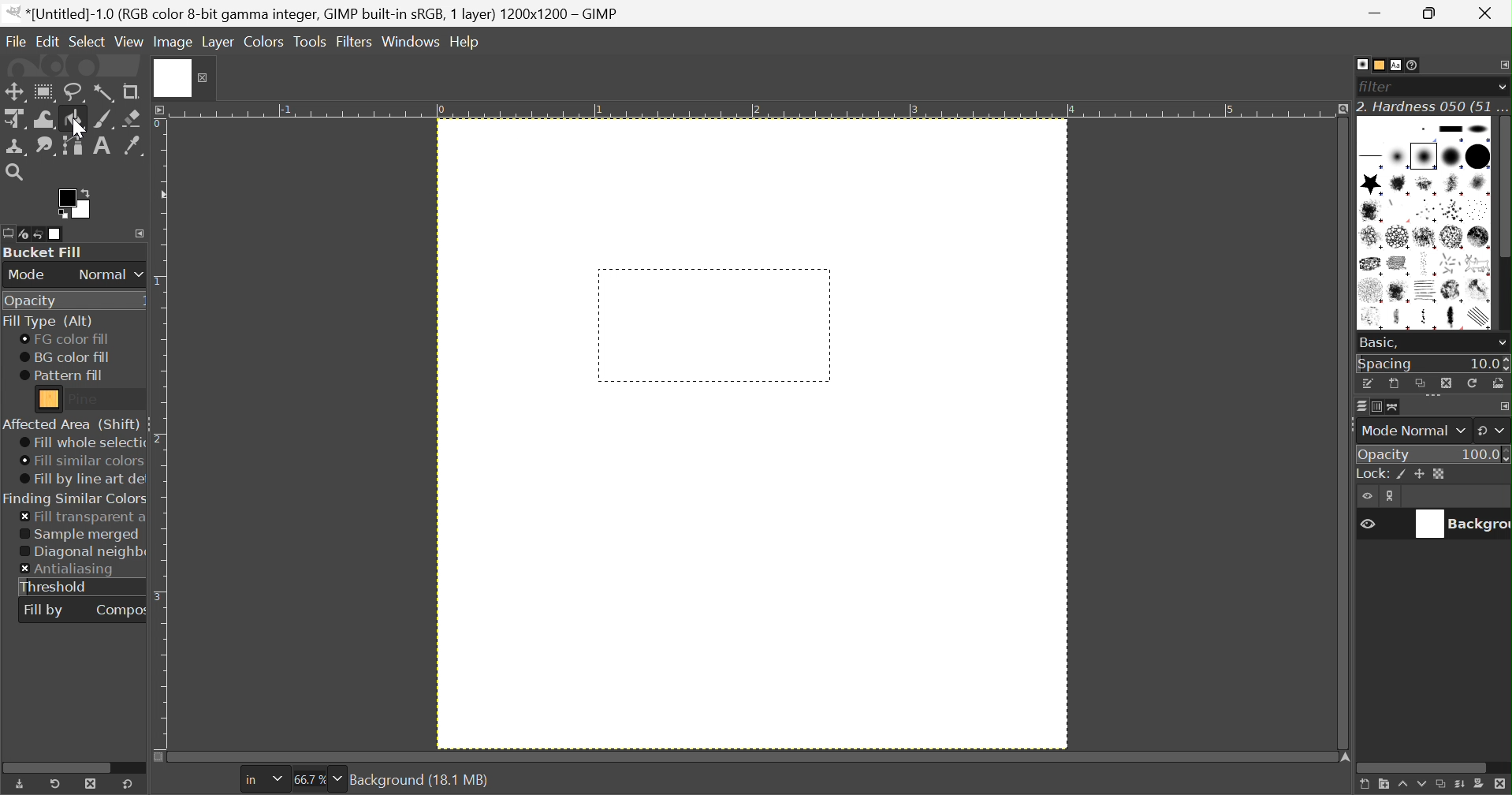 Image resolution: width=1512 pixels, height=795 pixels. What do you see at coordinates (44, 92) in the screenshot?
I see `Ellipse Select Tool` at bounding box center [44, 92].